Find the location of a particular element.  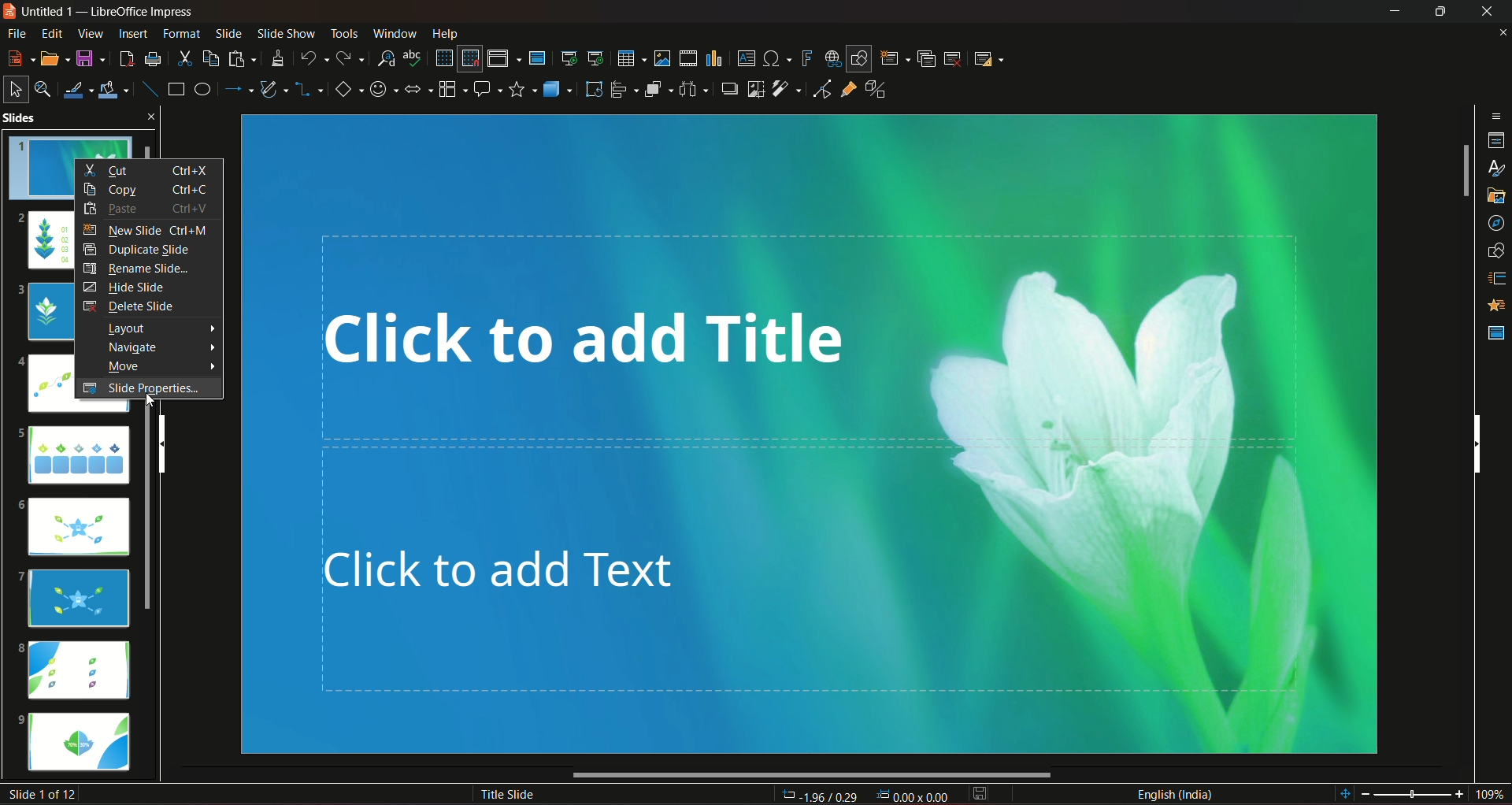

block arrows is located at coordinates (419, 90).